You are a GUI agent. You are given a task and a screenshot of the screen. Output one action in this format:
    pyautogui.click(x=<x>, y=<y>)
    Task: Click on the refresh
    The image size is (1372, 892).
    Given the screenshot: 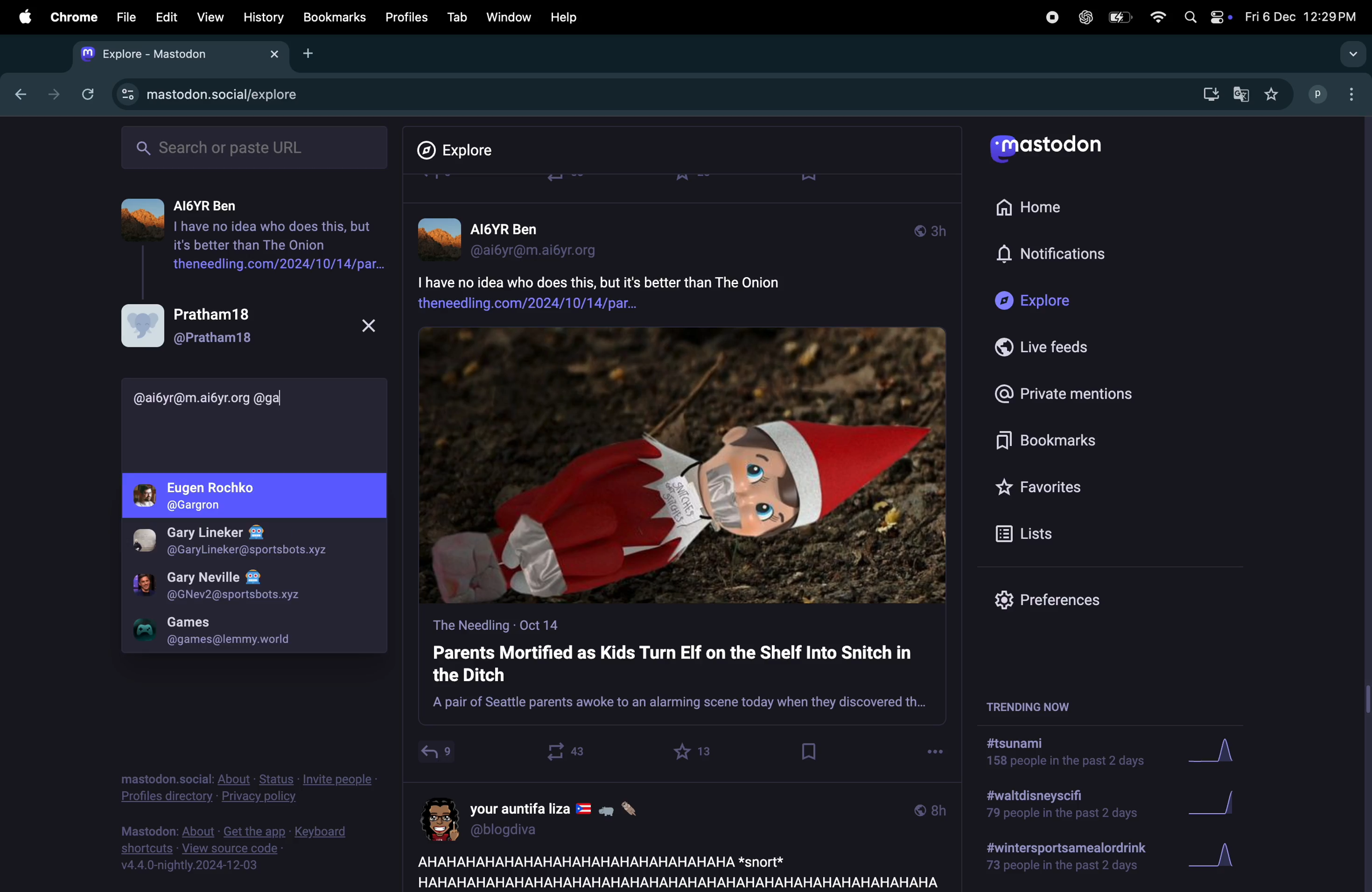 What is the action you would take?
    pyautogui.click(x=85, y=94)
    